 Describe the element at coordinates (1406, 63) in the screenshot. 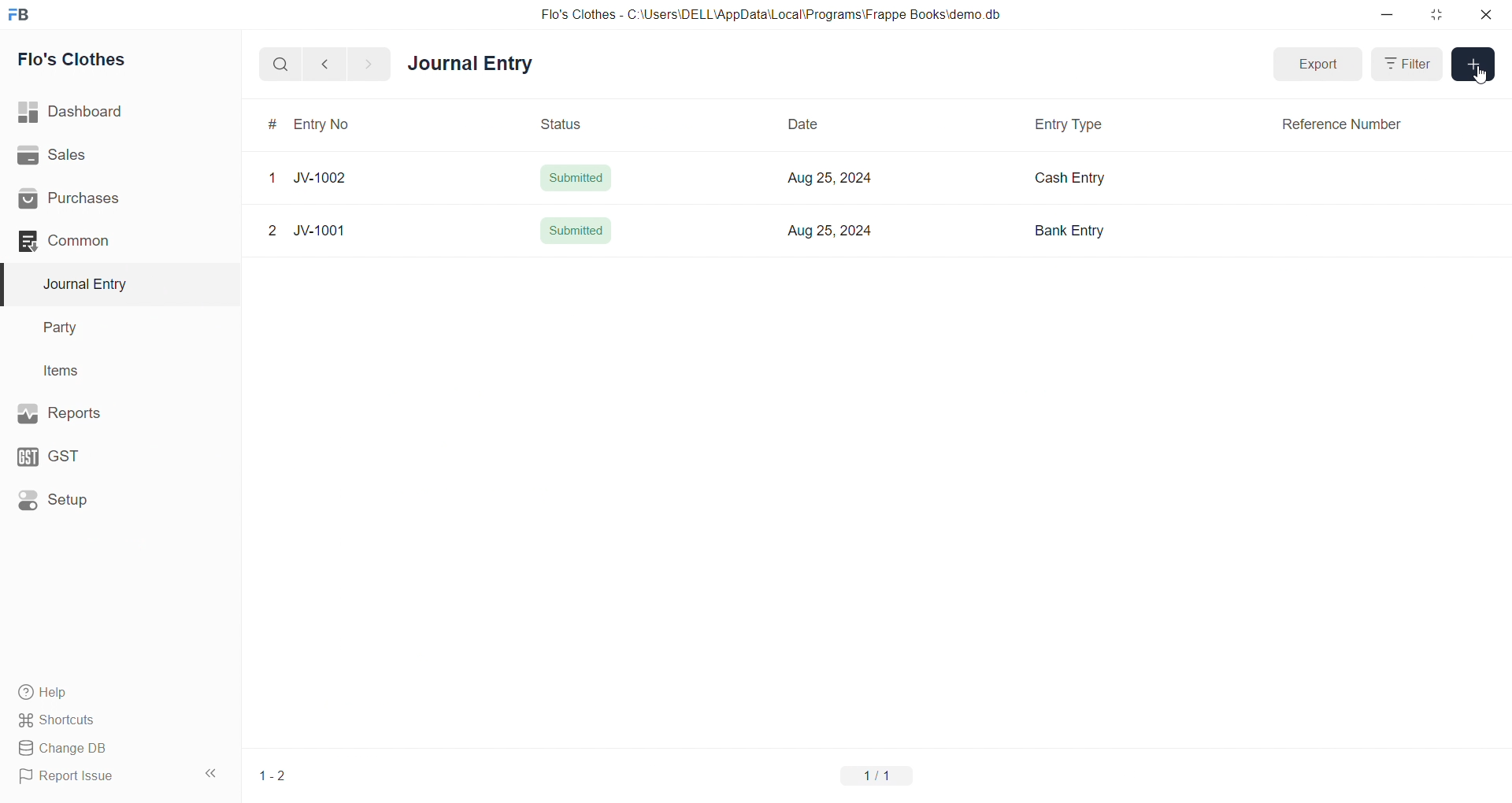

I see `Collapse` at that location.